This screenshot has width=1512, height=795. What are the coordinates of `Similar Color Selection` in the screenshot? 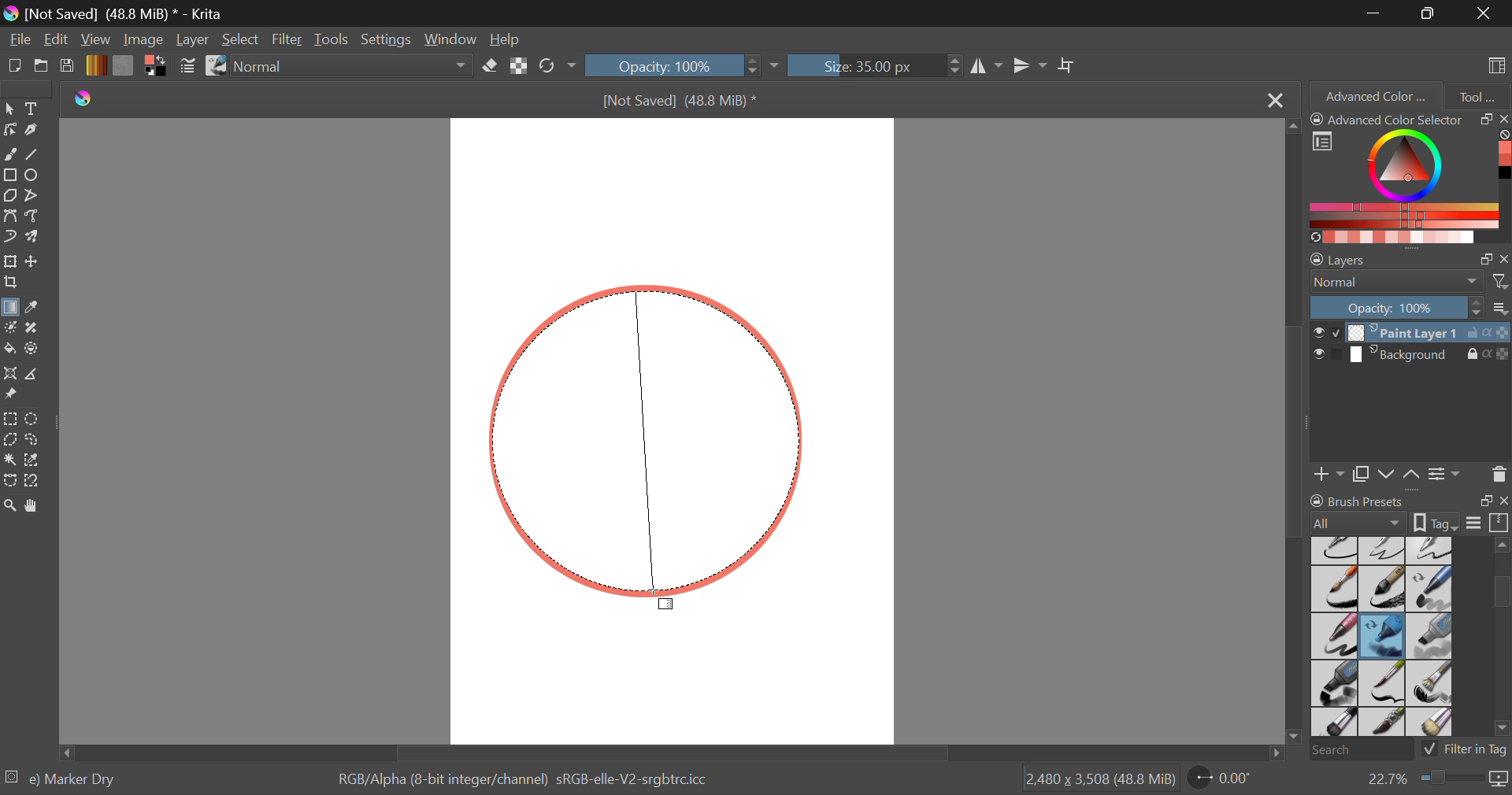 It's located at (37, 461).